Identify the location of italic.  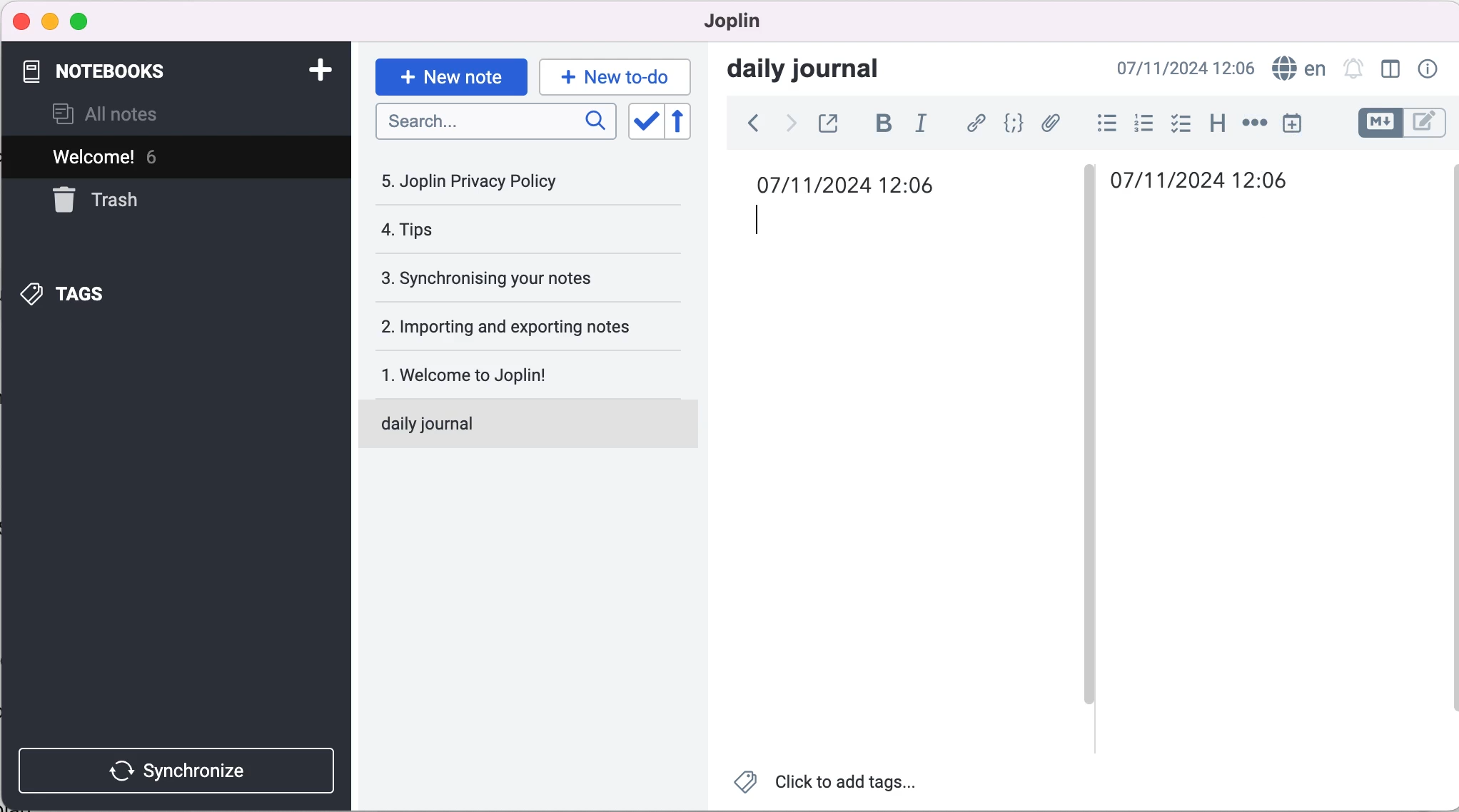
(923, 123).